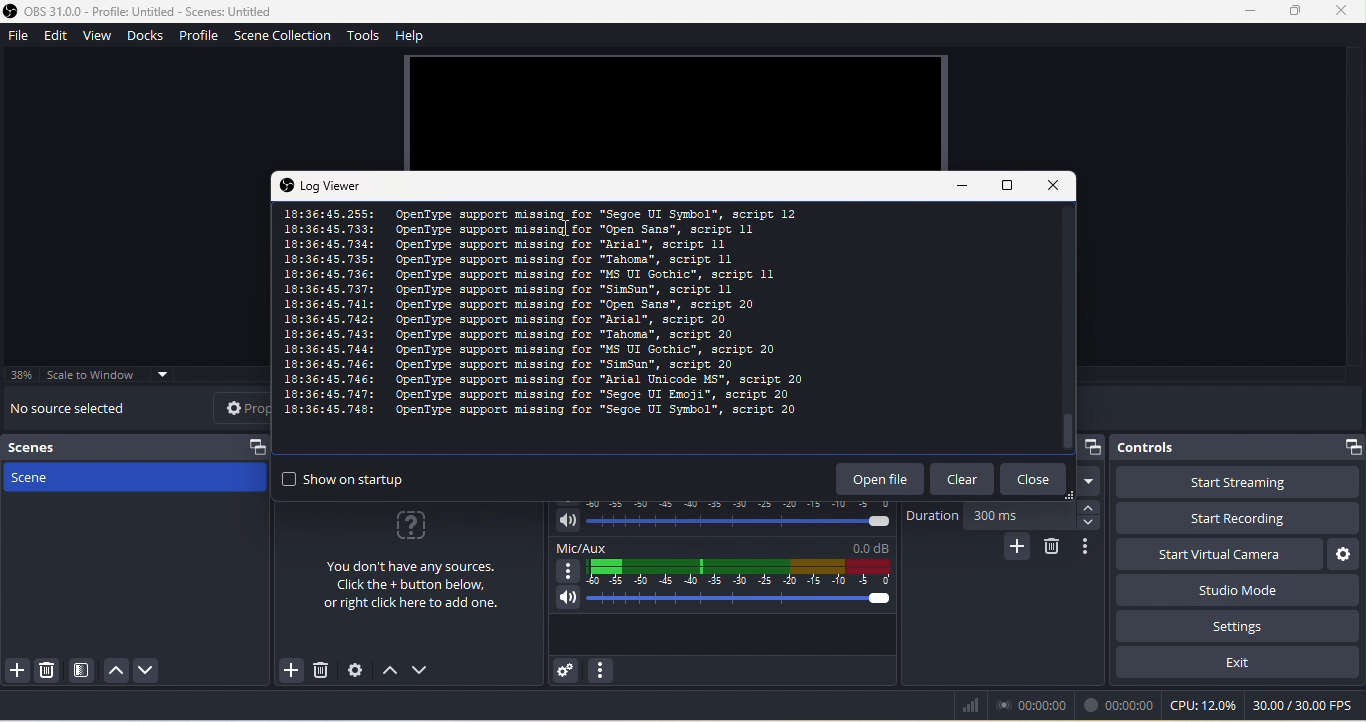 This screenshot has width=1366, height=722. I want to click on vertical scroll bar, so click(1064, 424).